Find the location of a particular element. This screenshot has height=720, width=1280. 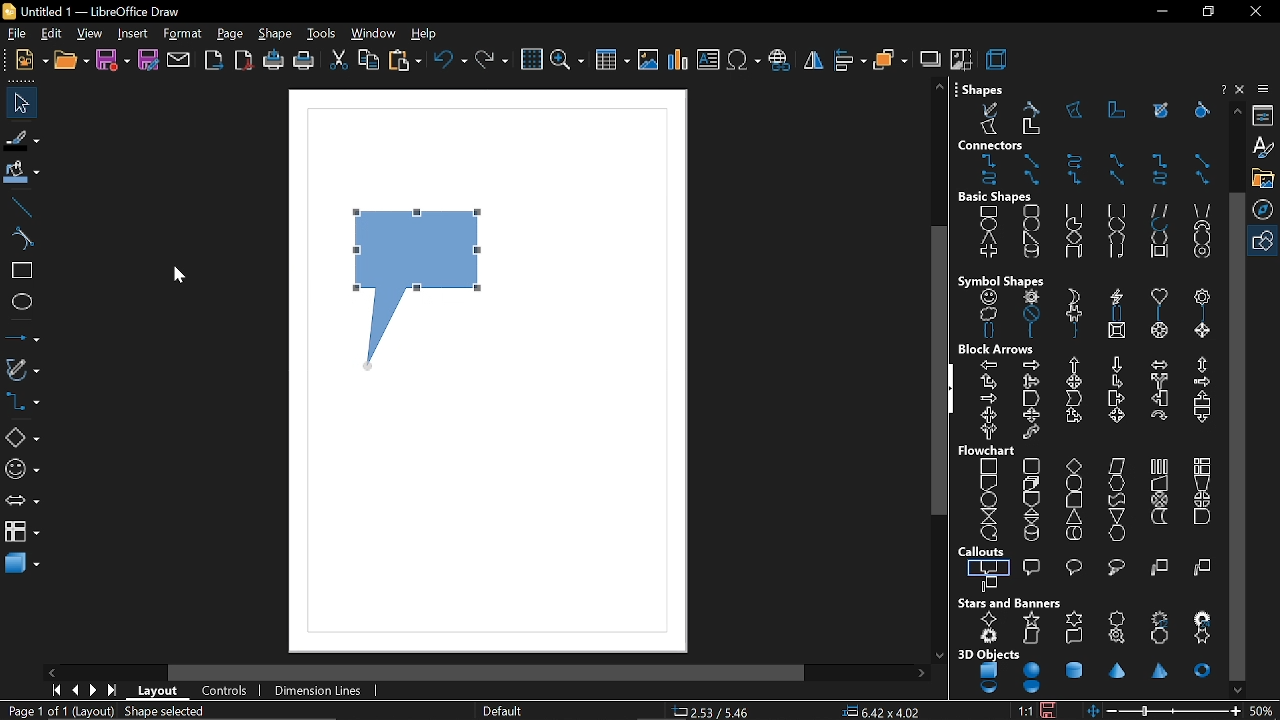

up and right arrow callout is located at coordinates (1073, 417).